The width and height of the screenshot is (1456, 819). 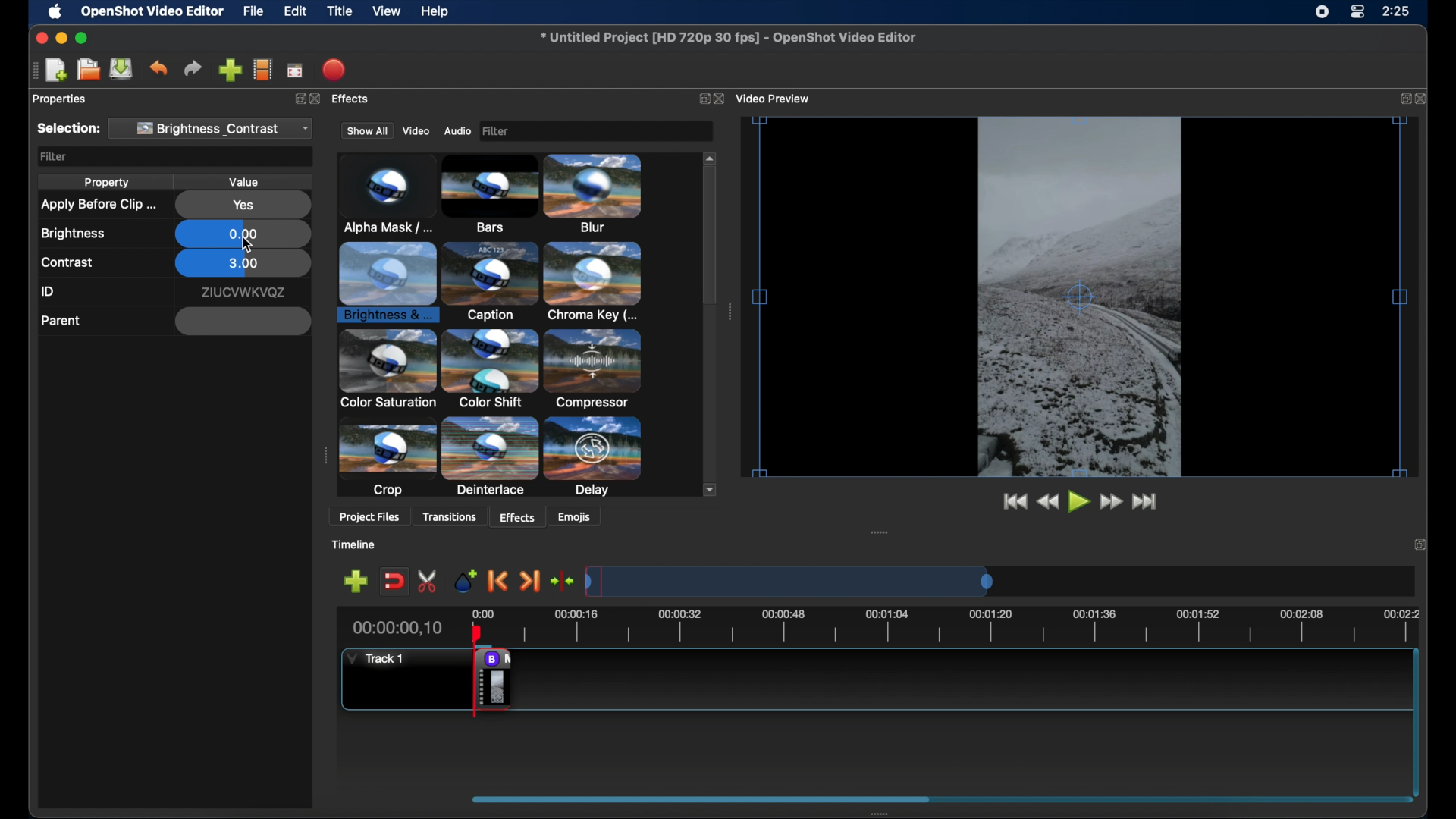 I want to click on import files, so click(x=229, y=70).